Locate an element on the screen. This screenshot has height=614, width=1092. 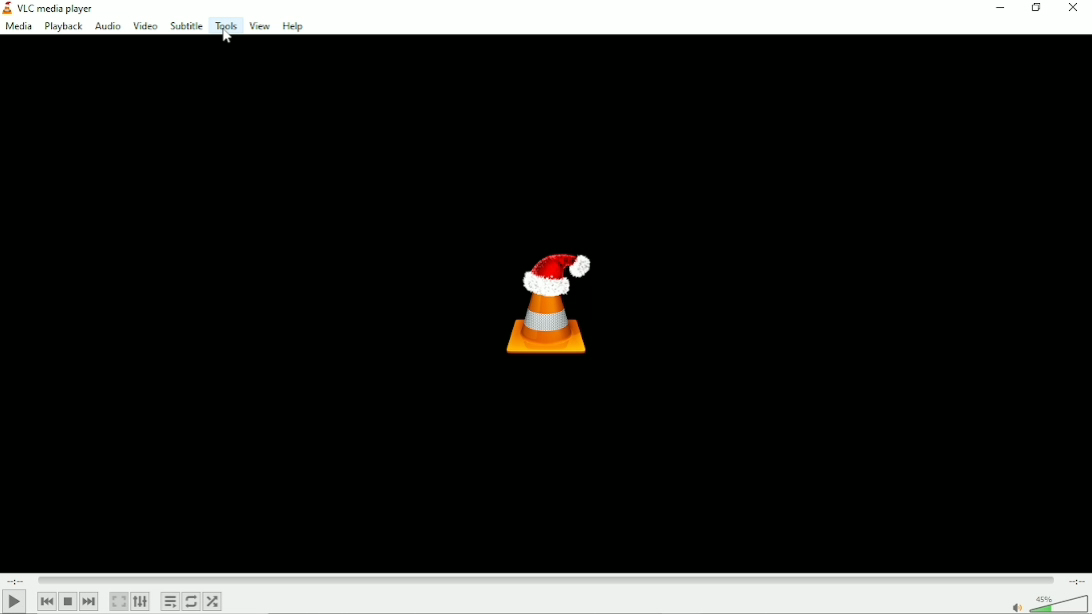
Title is located at coordinates (55, 8).